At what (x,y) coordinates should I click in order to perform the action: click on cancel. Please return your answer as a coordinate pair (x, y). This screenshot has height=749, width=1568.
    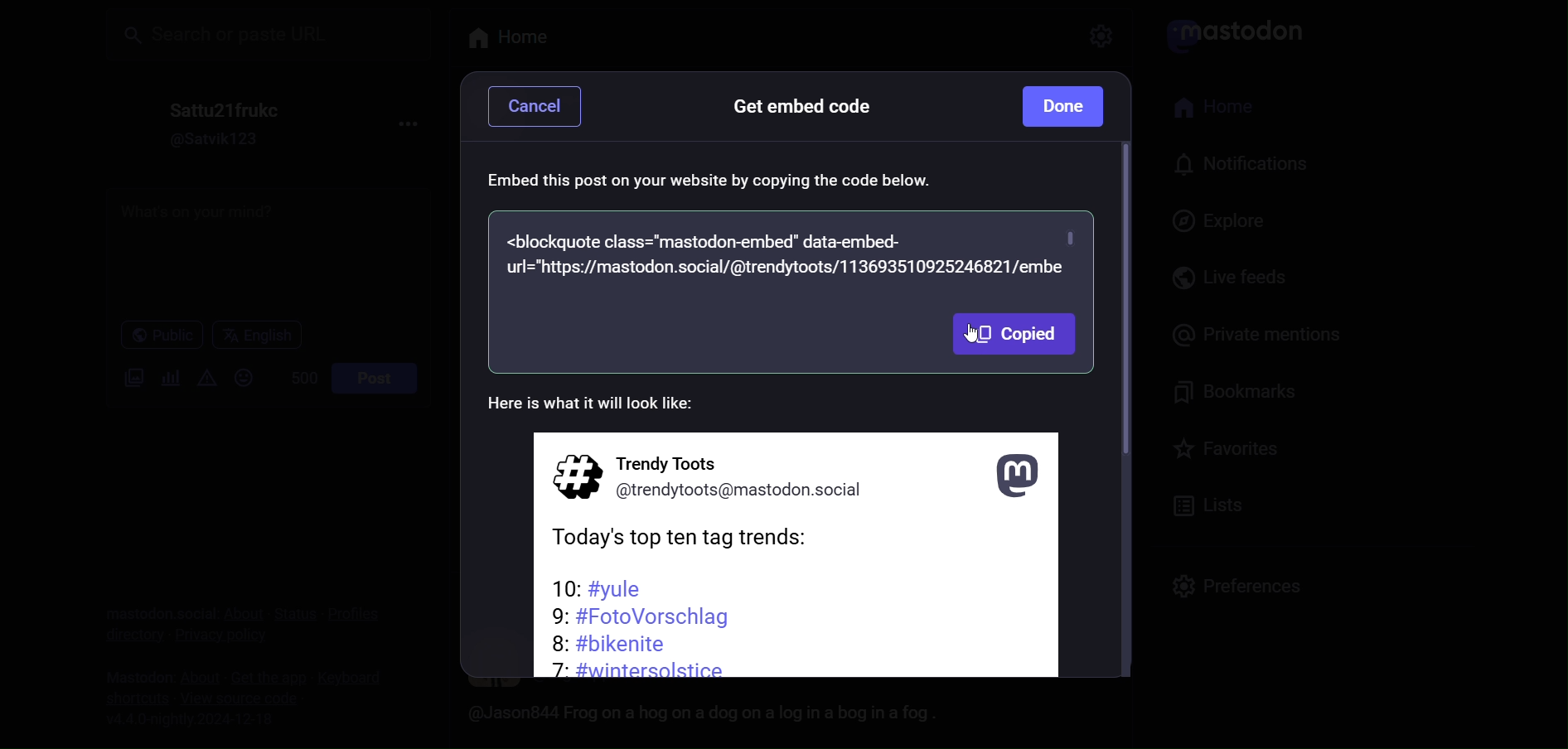
    Looking at the image, I should click on (544, 109).